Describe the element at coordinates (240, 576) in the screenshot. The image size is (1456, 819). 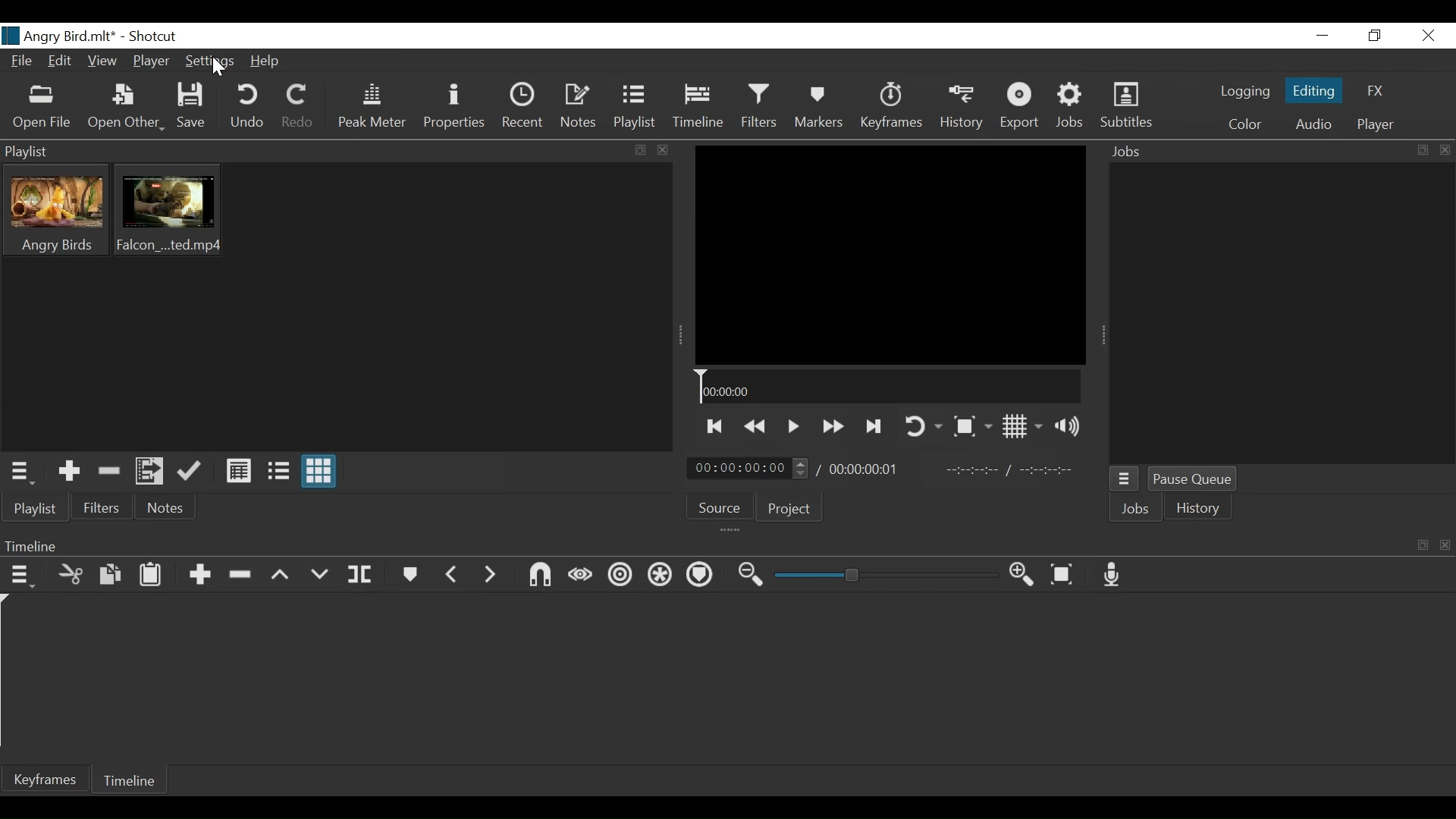
I see `Ripple delete` at that location.